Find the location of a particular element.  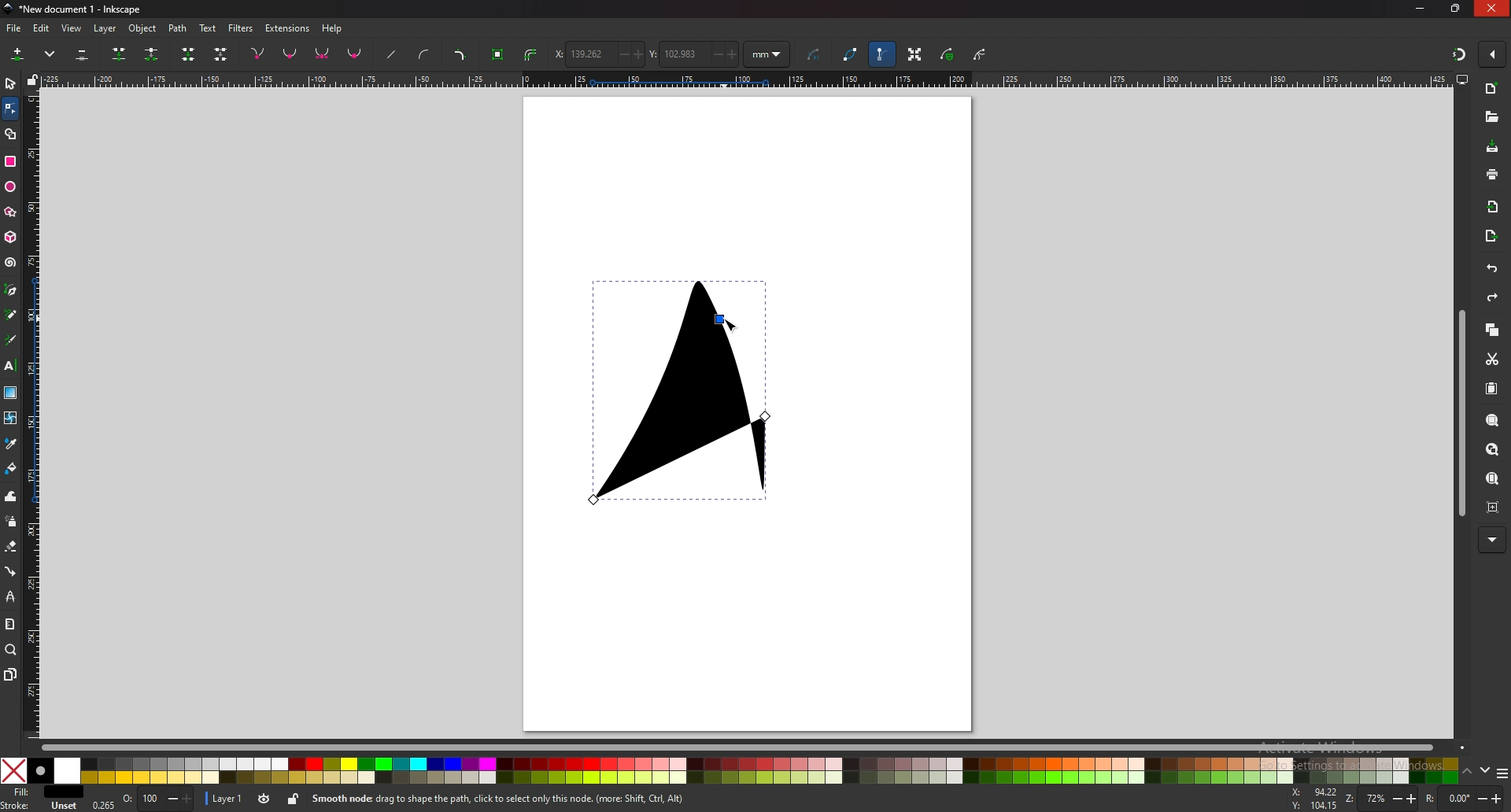

shape builder is located at coordinates (11, 134).